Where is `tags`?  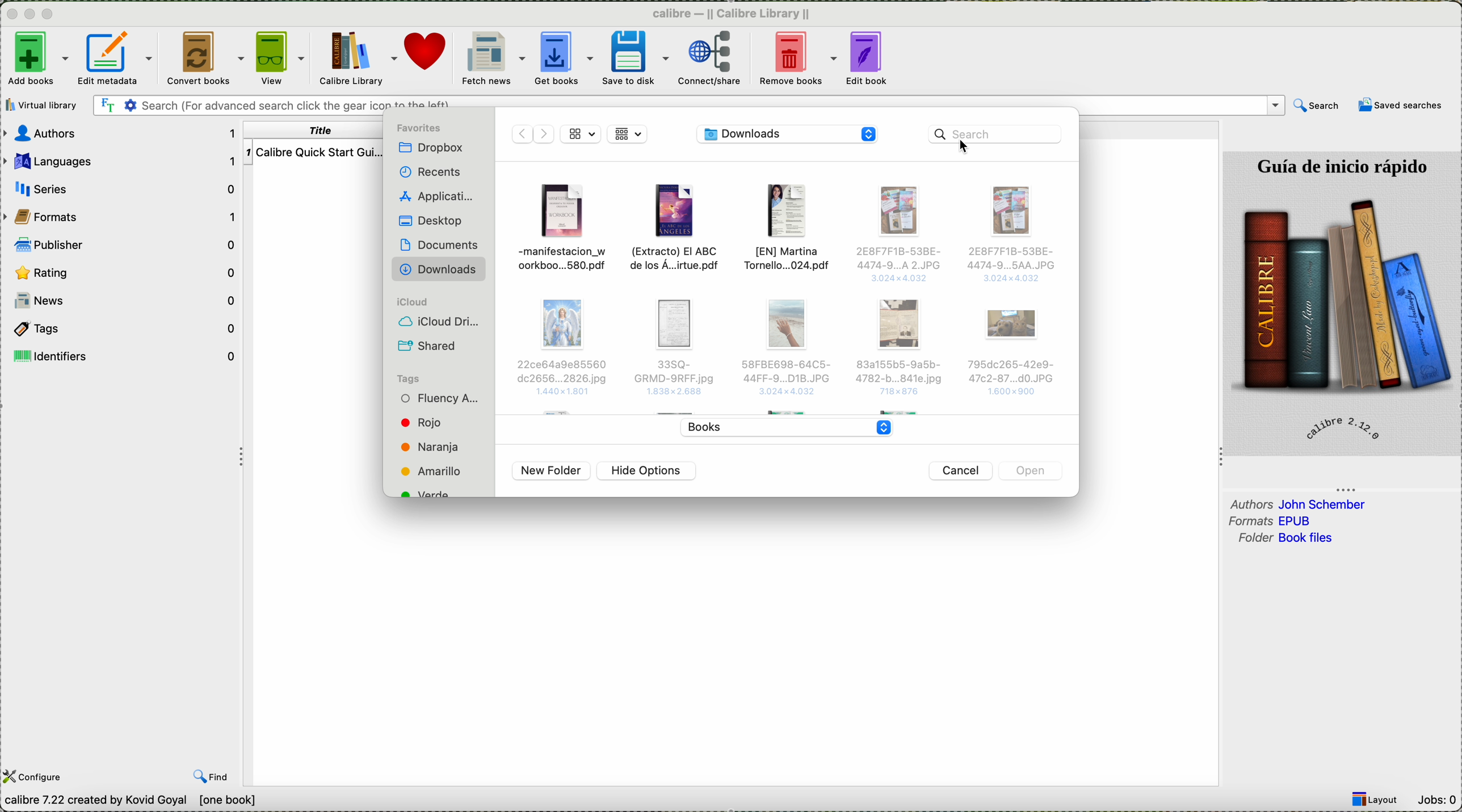 tags is located at coordinates (125, 329).